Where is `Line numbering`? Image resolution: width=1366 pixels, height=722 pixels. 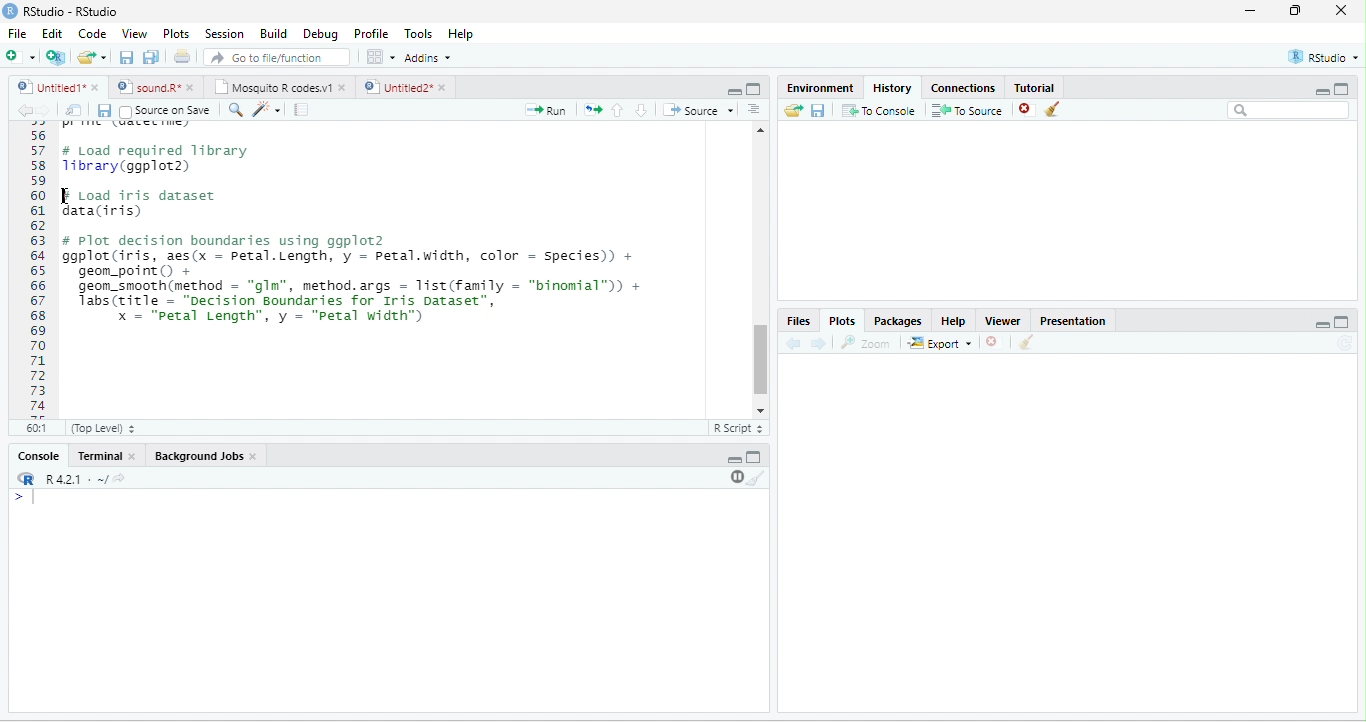
Line numbering is located at coordinates (37, 270).